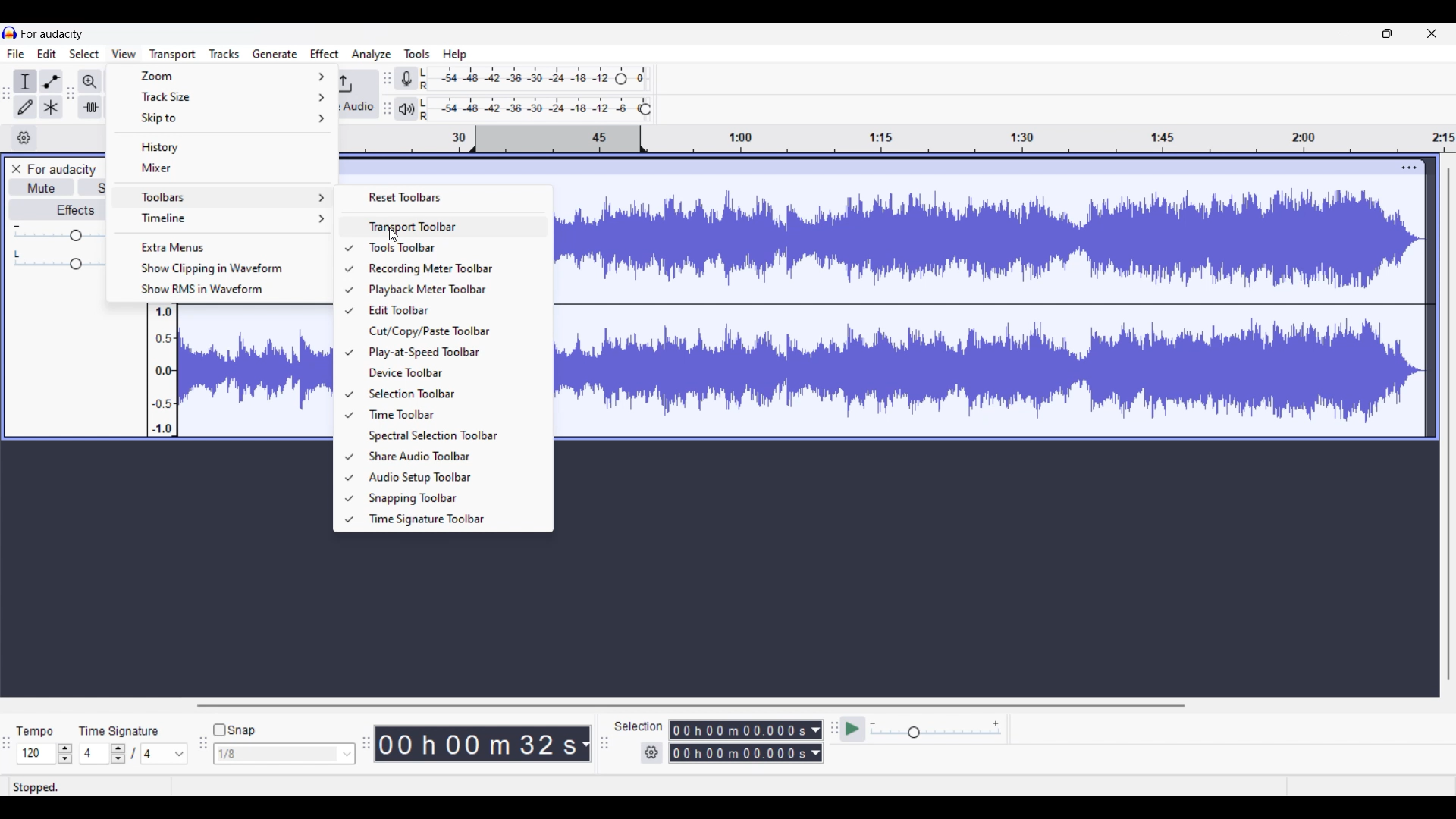 This screenshot has height=819, width=1456. Describe the element at coordinates (51, 82) in the screenshot. I see `Envelop tool` at that location.